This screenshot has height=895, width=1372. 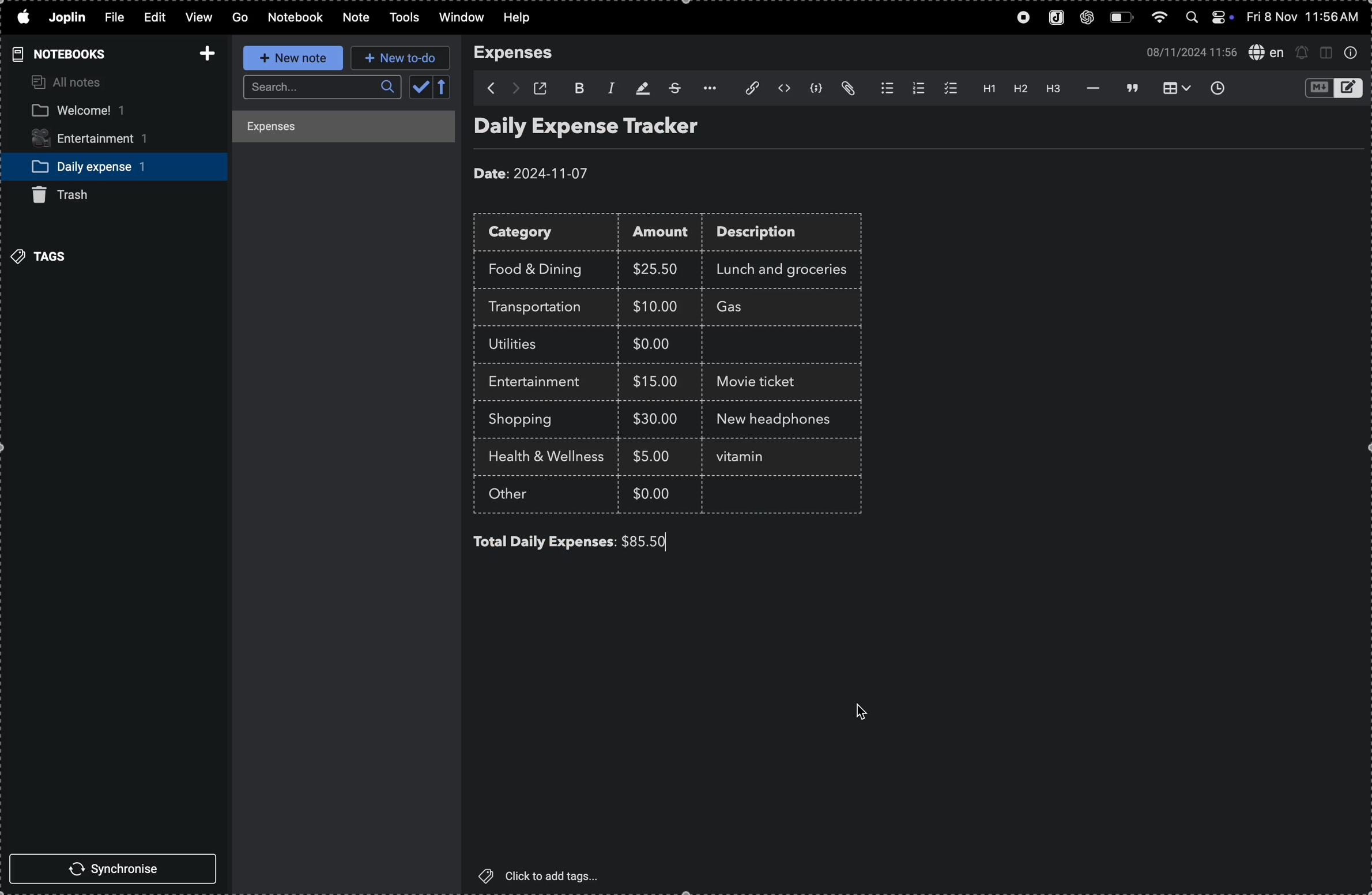 I want to click on file, so click(x=112, y=18).